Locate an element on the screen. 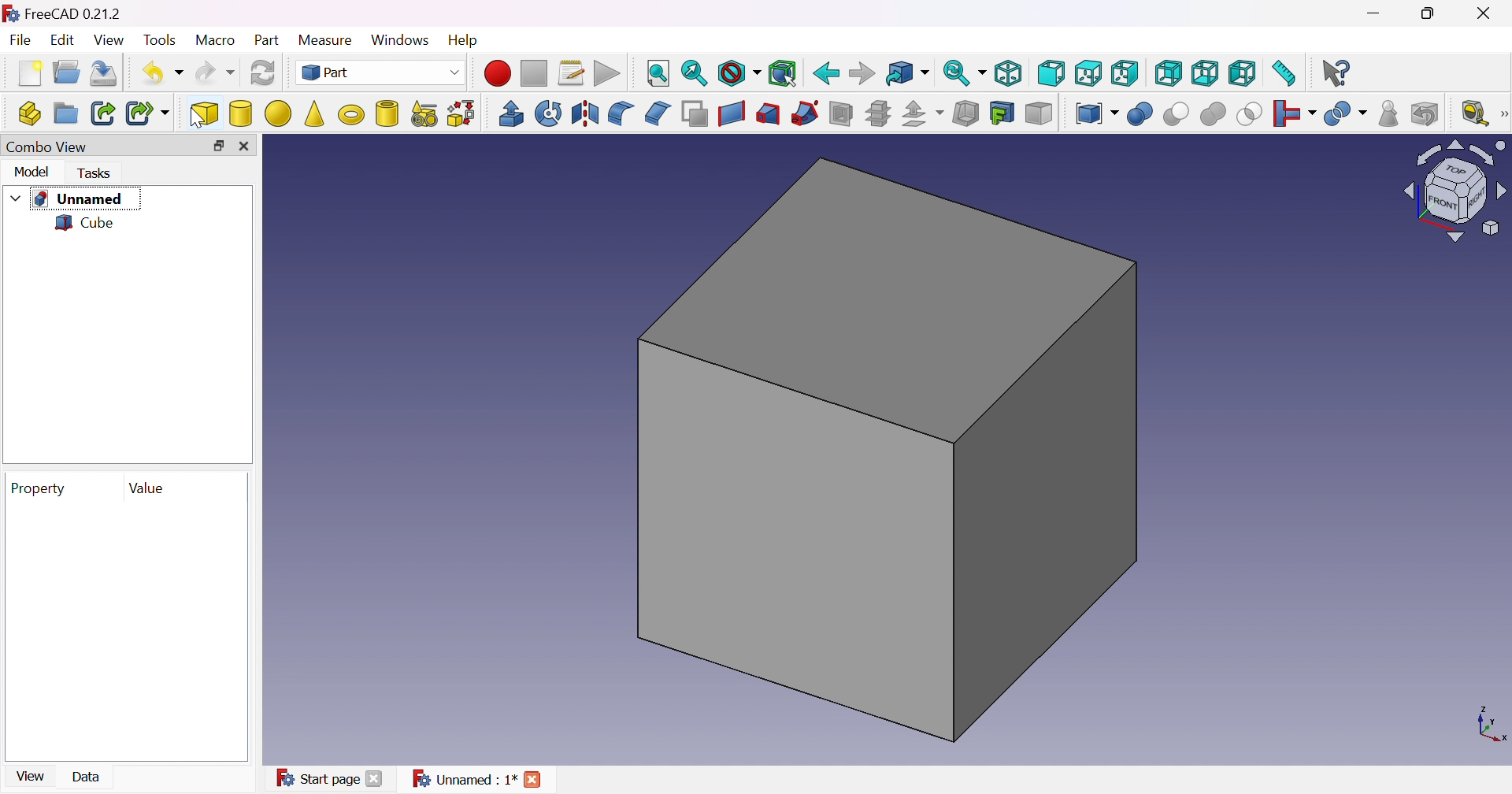 The image size is (1512, 794). Fit selection is located at coordinates (695, 71).